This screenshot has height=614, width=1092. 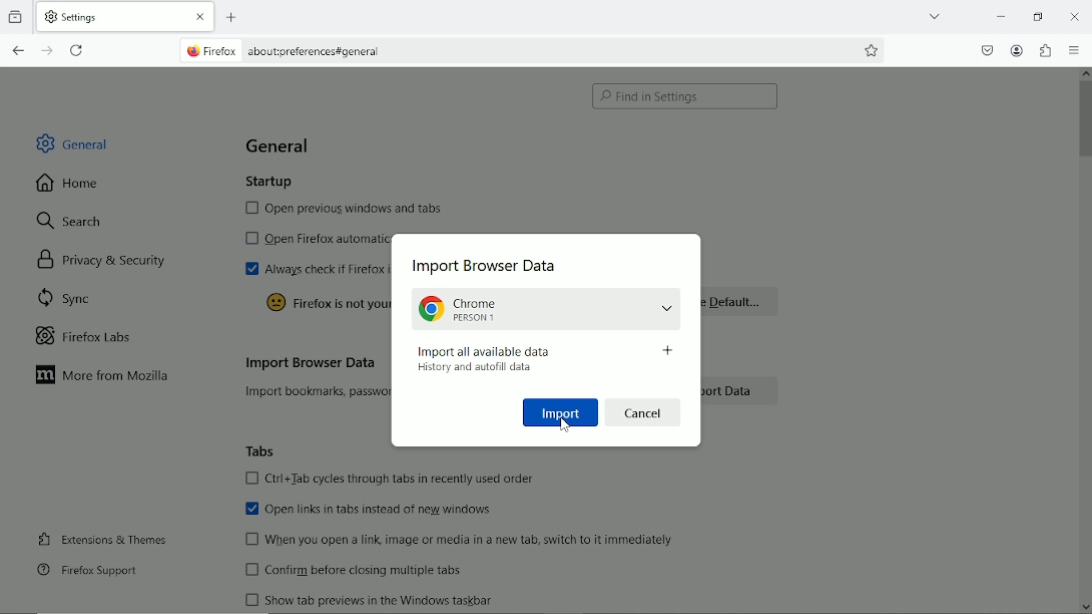 I want to click on Sync, so click(x=71, y=298).